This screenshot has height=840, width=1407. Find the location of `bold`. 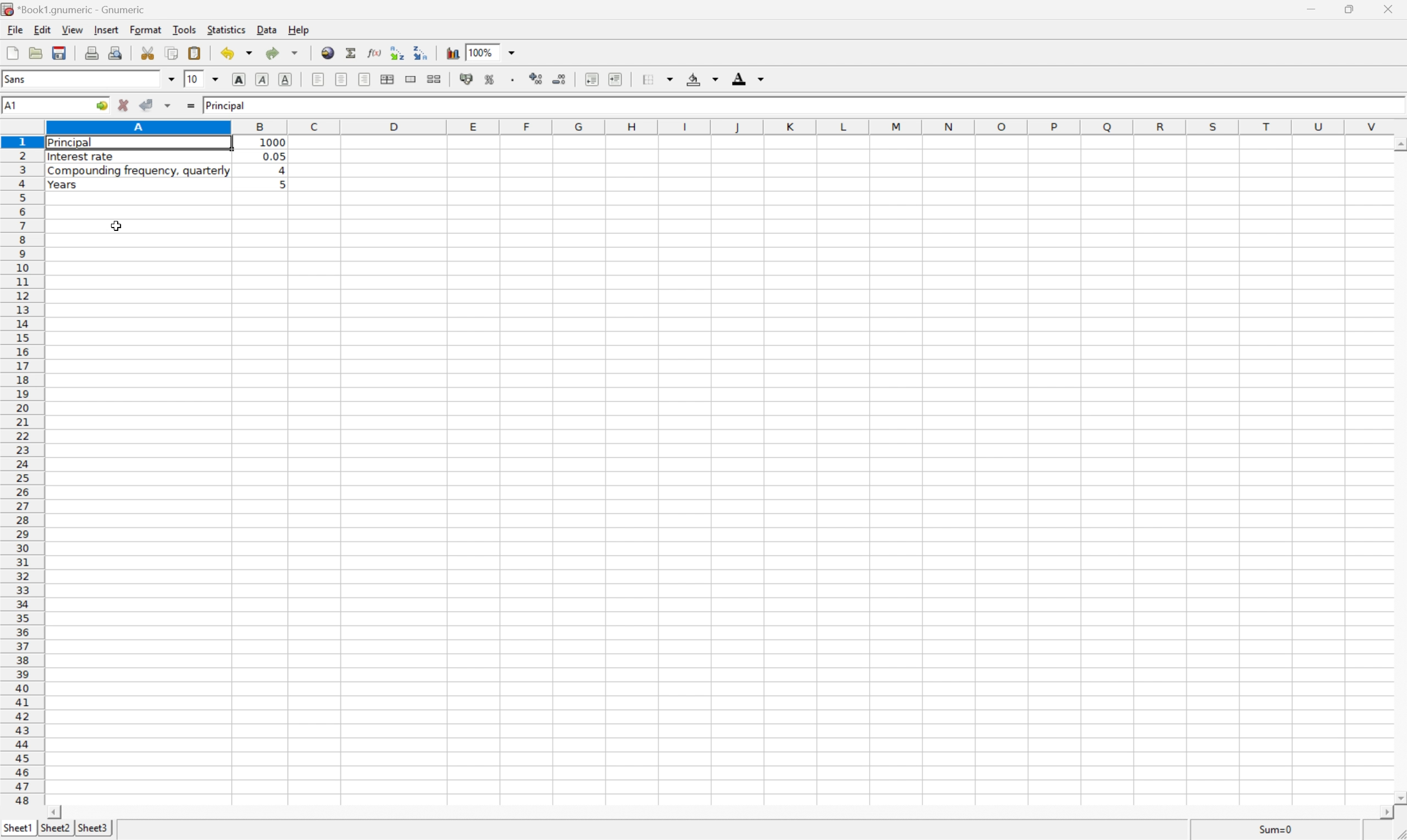

bold is located at coordinates (238, 78).